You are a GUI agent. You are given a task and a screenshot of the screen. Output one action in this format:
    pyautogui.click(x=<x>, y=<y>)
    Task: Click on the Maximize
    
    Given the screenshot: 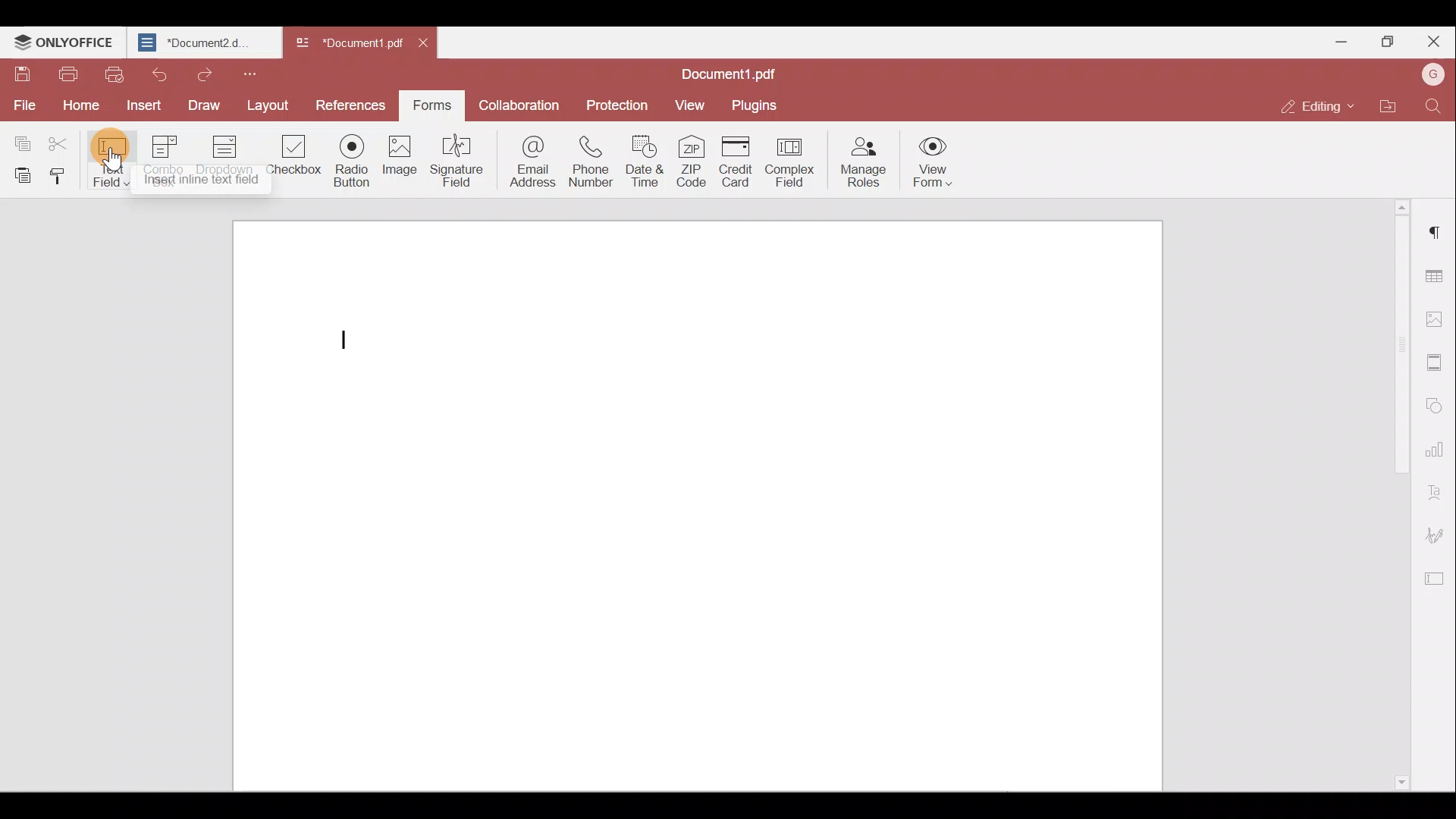 What is the action you would take?
    pyautogui.click(x=1387, y=38)
    